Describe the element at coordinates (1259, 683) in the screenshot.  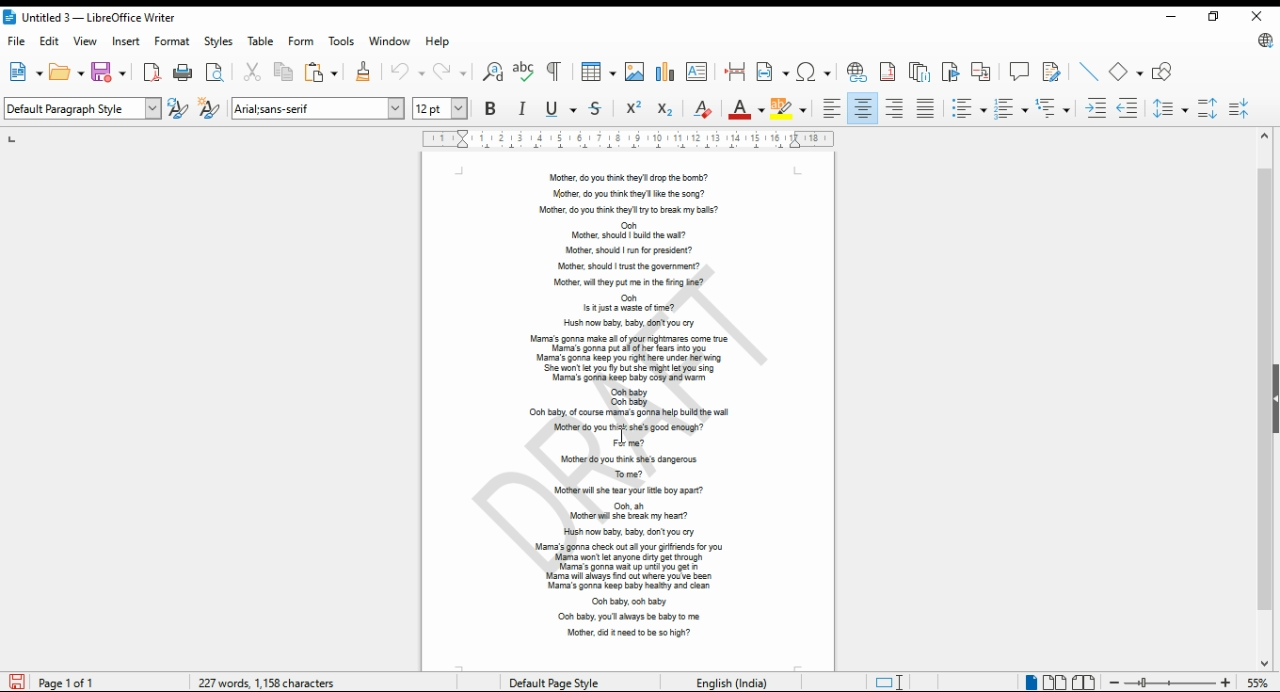
I see `zoom factor` at that location.